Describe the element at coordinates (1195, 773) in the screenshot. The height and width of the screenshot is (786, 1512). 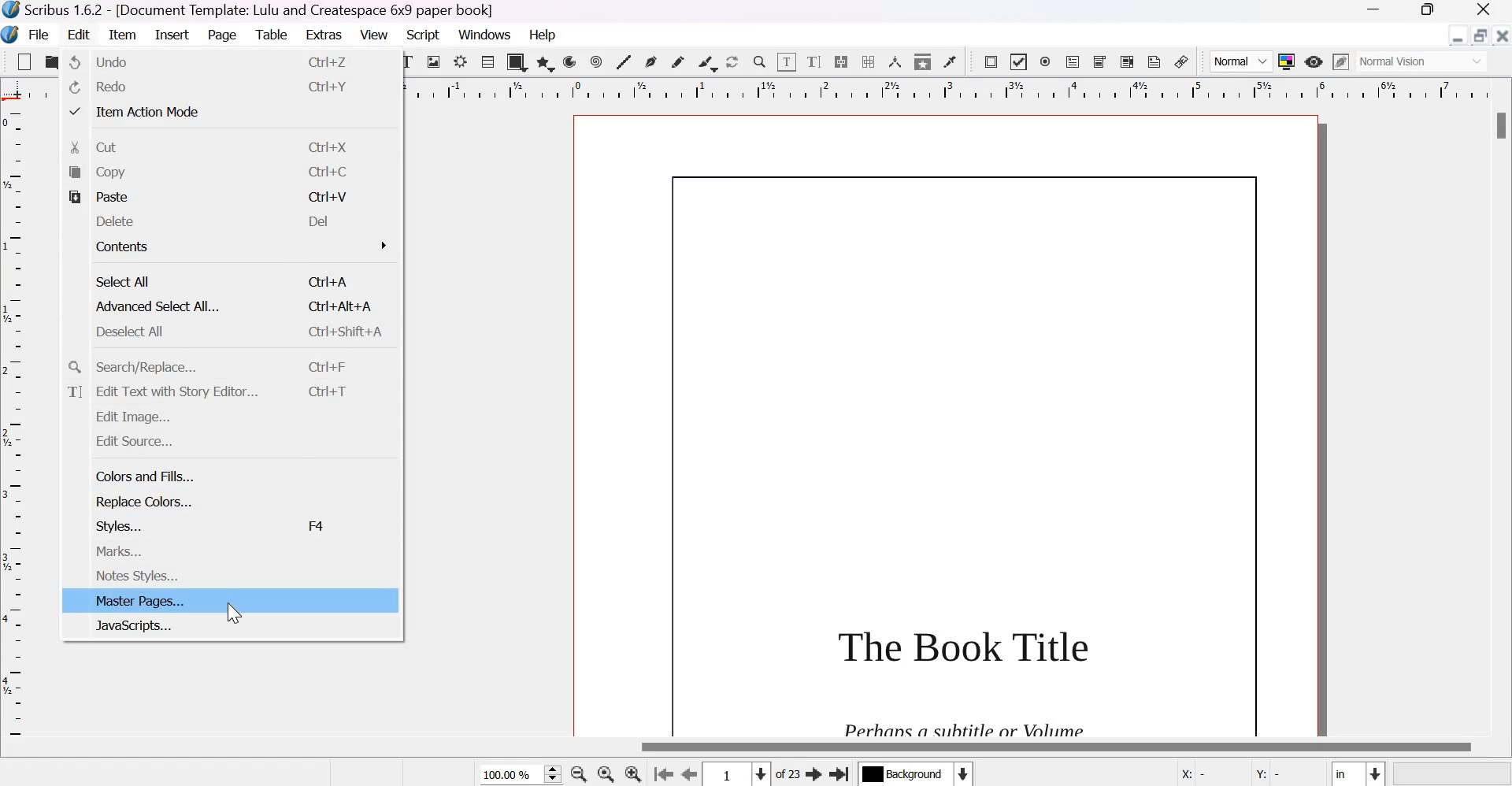
I see `X:` at that location.